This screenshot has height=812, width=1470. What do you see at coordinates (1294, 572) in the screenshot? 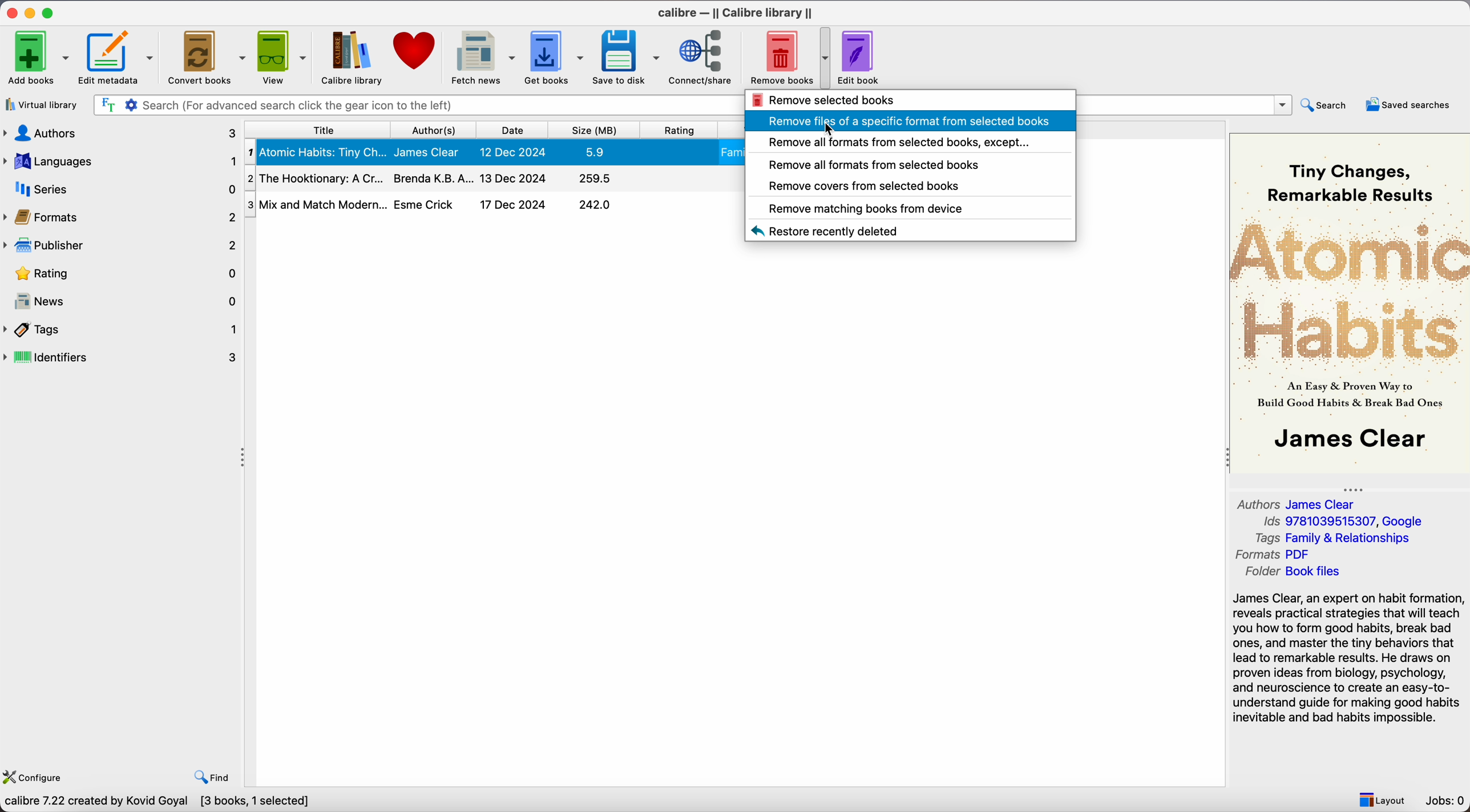
I see `Folder Book files` at bounding box center [1294, 572].